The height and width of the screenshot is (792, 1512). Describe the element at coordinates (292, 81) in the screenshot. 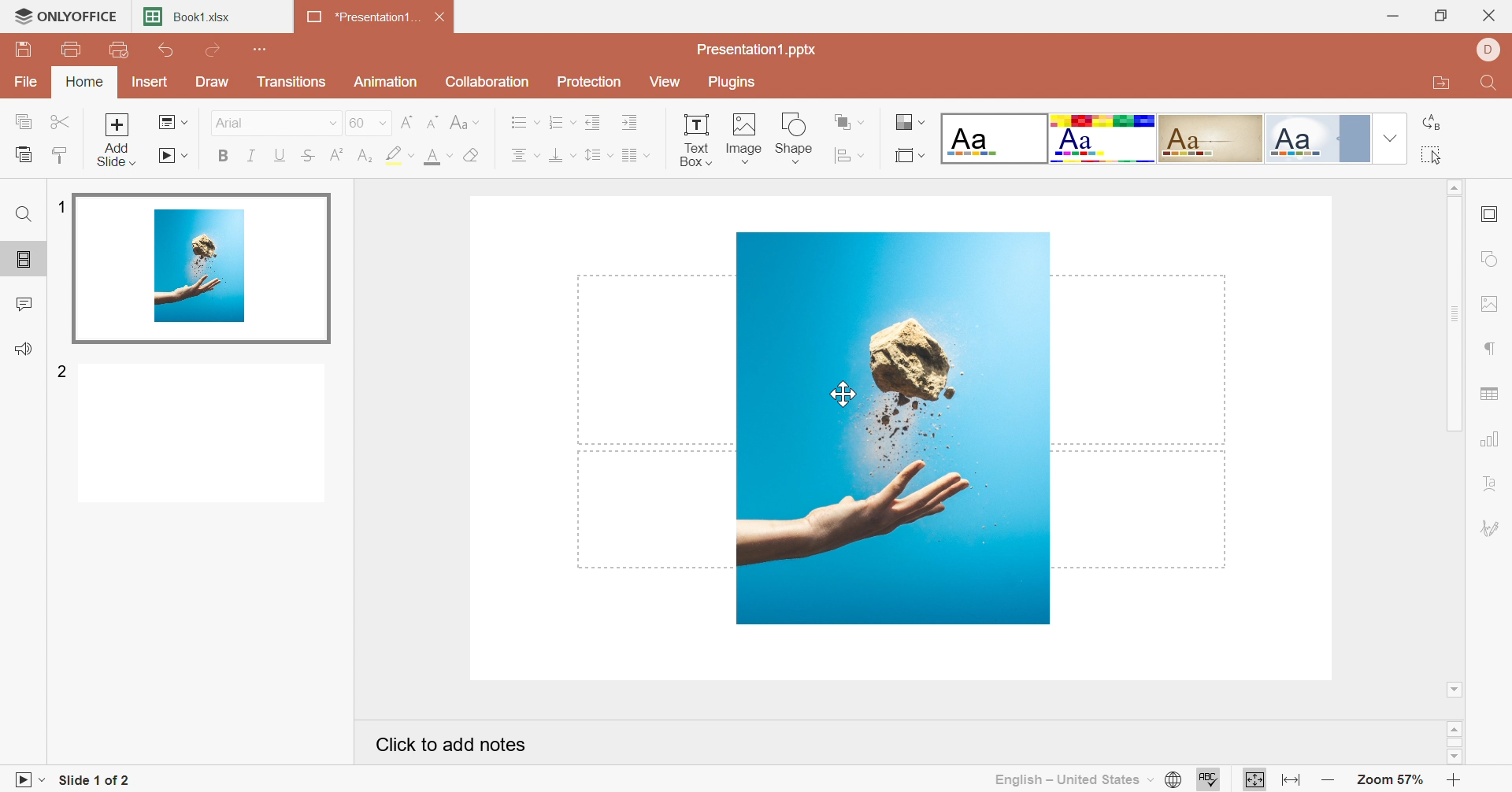

I see `Transitions` at that location.